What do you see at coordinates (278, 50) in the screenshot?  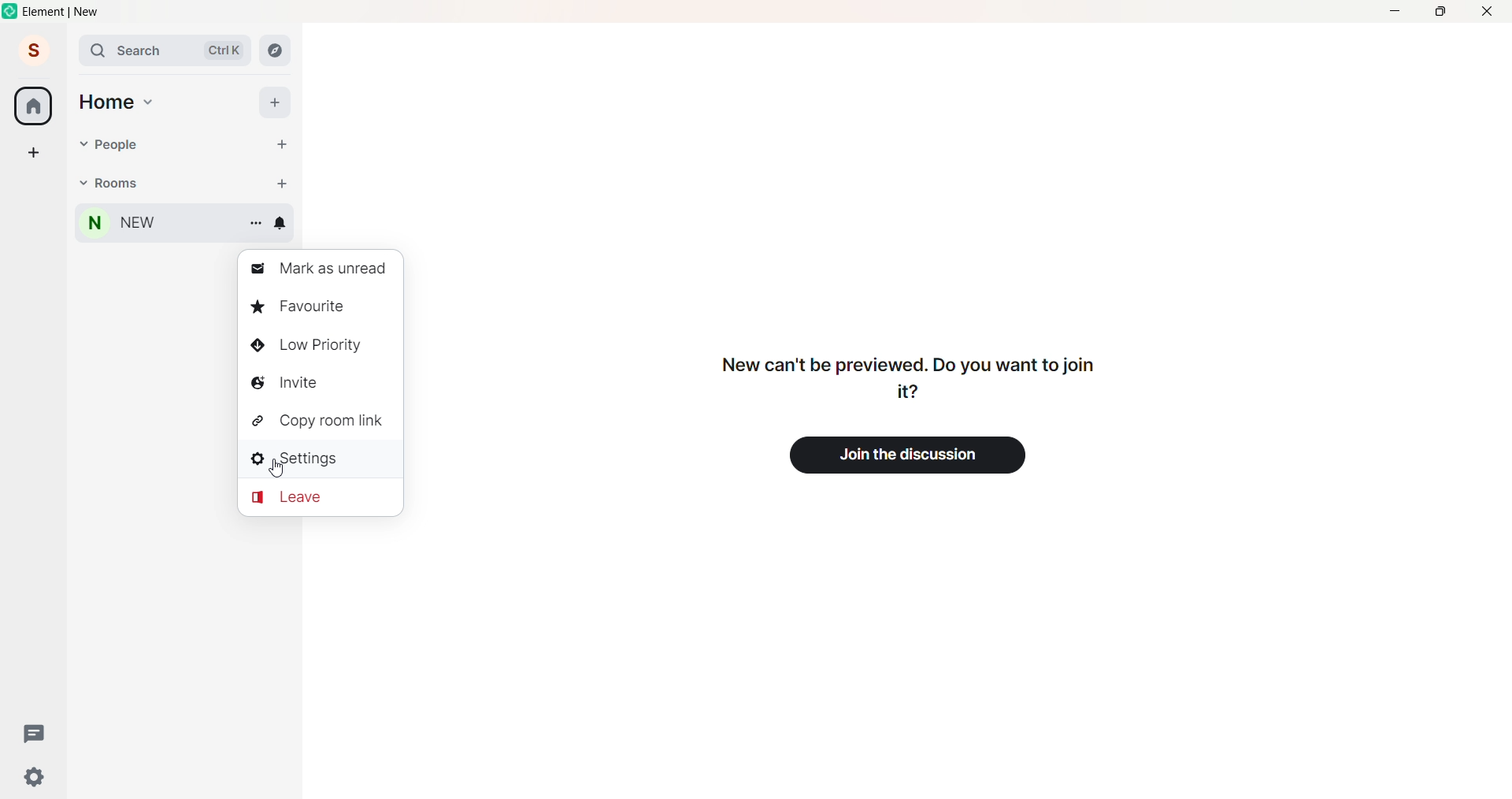 I see `explore` at bounding box center [278, 50].